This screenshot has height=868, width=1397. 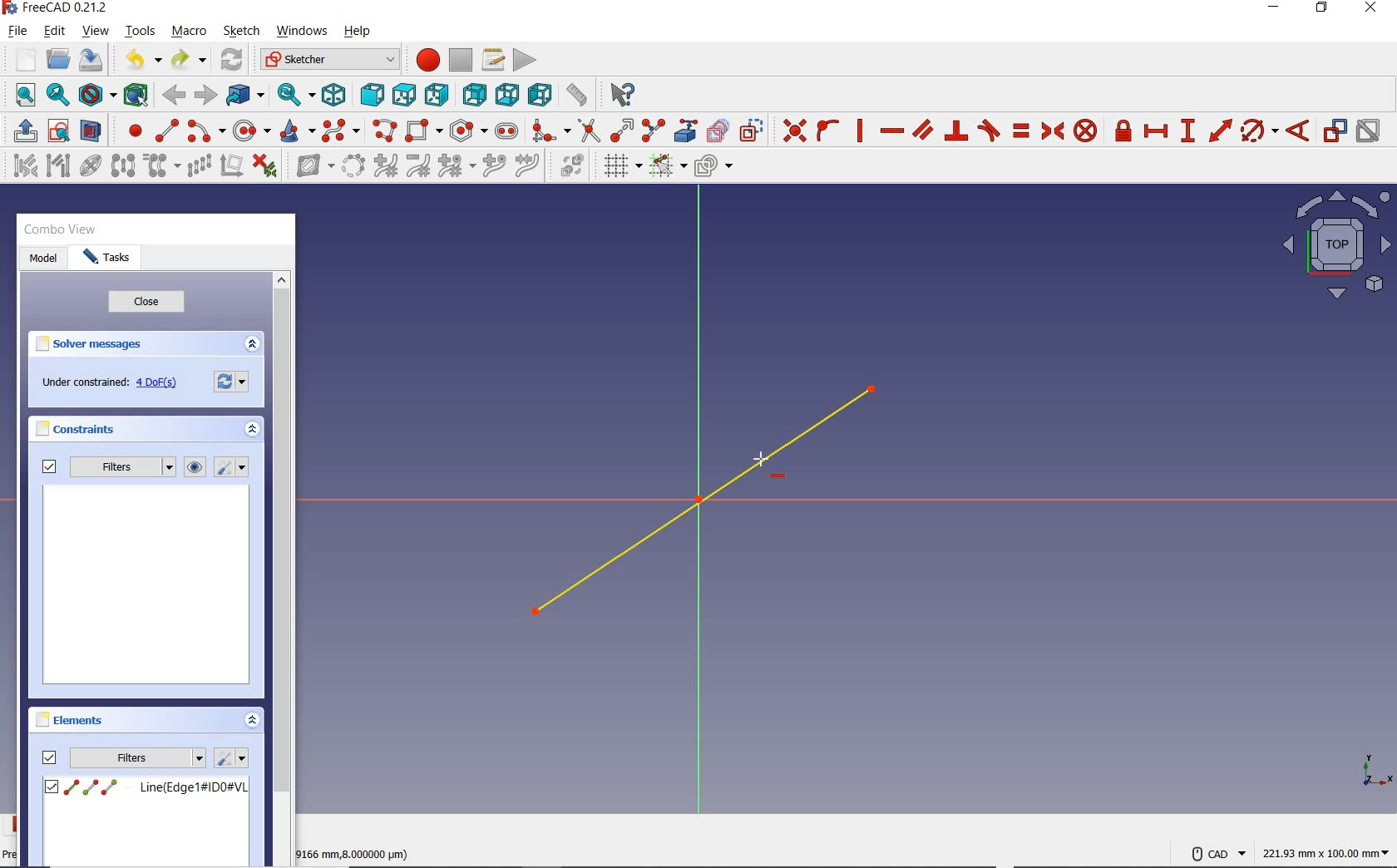 What do you see at coordinates (761, 461) in the screenshot?
I see `horizontal constraint on shape` at bounding box center [761, 461].